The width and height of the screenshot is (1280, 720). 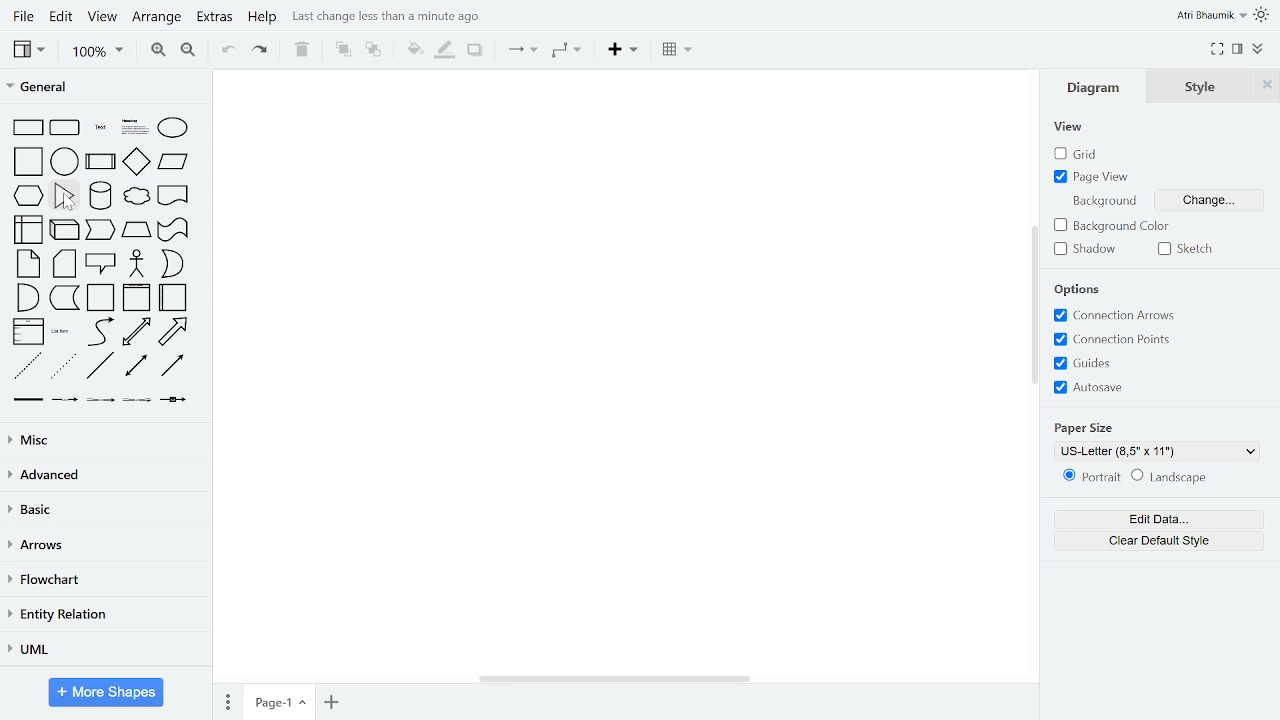 I want to click on Background color, so click(x=1118, y=226).